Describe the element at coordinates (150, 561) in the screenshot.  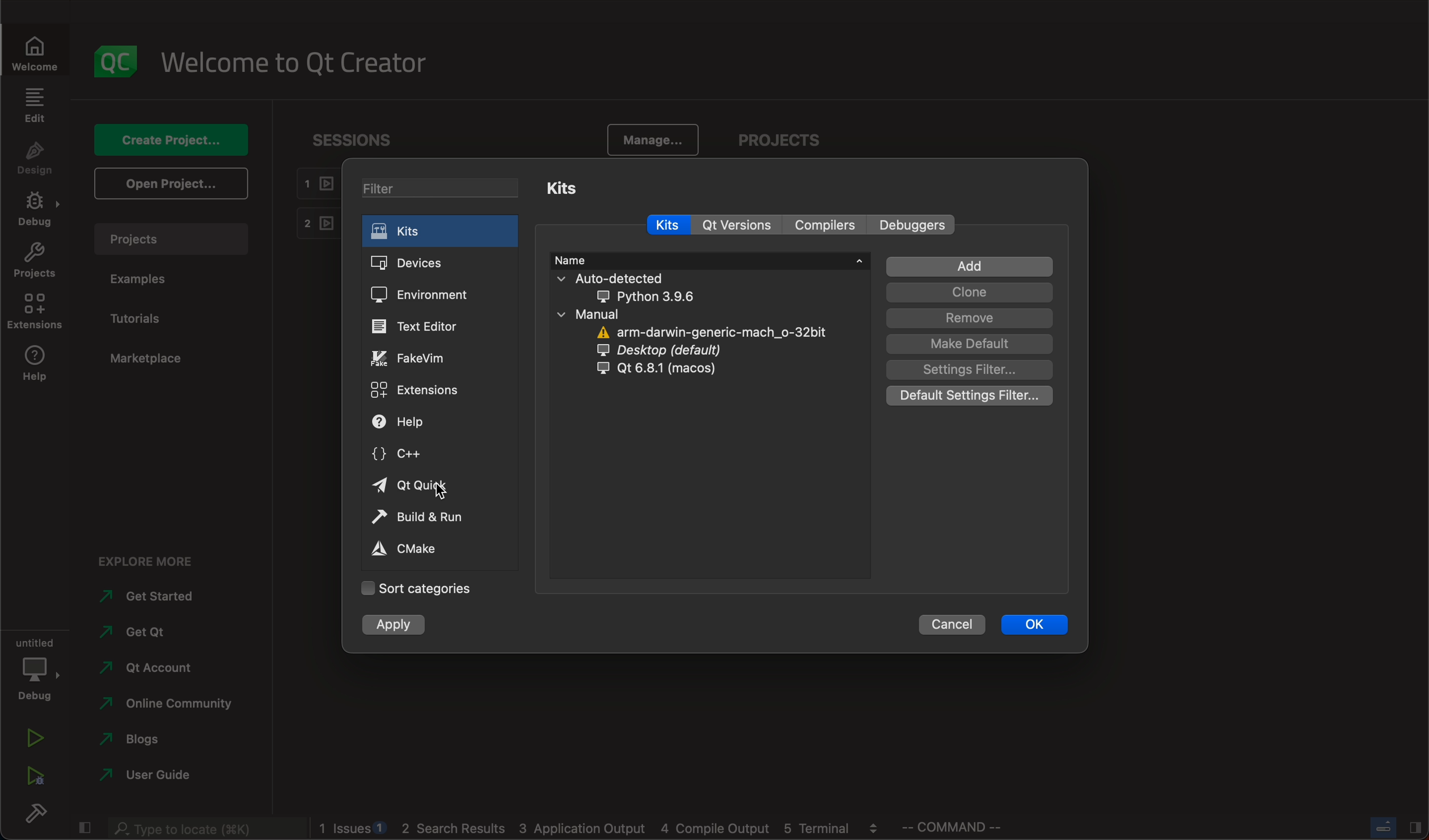
I see `explore` at that location.